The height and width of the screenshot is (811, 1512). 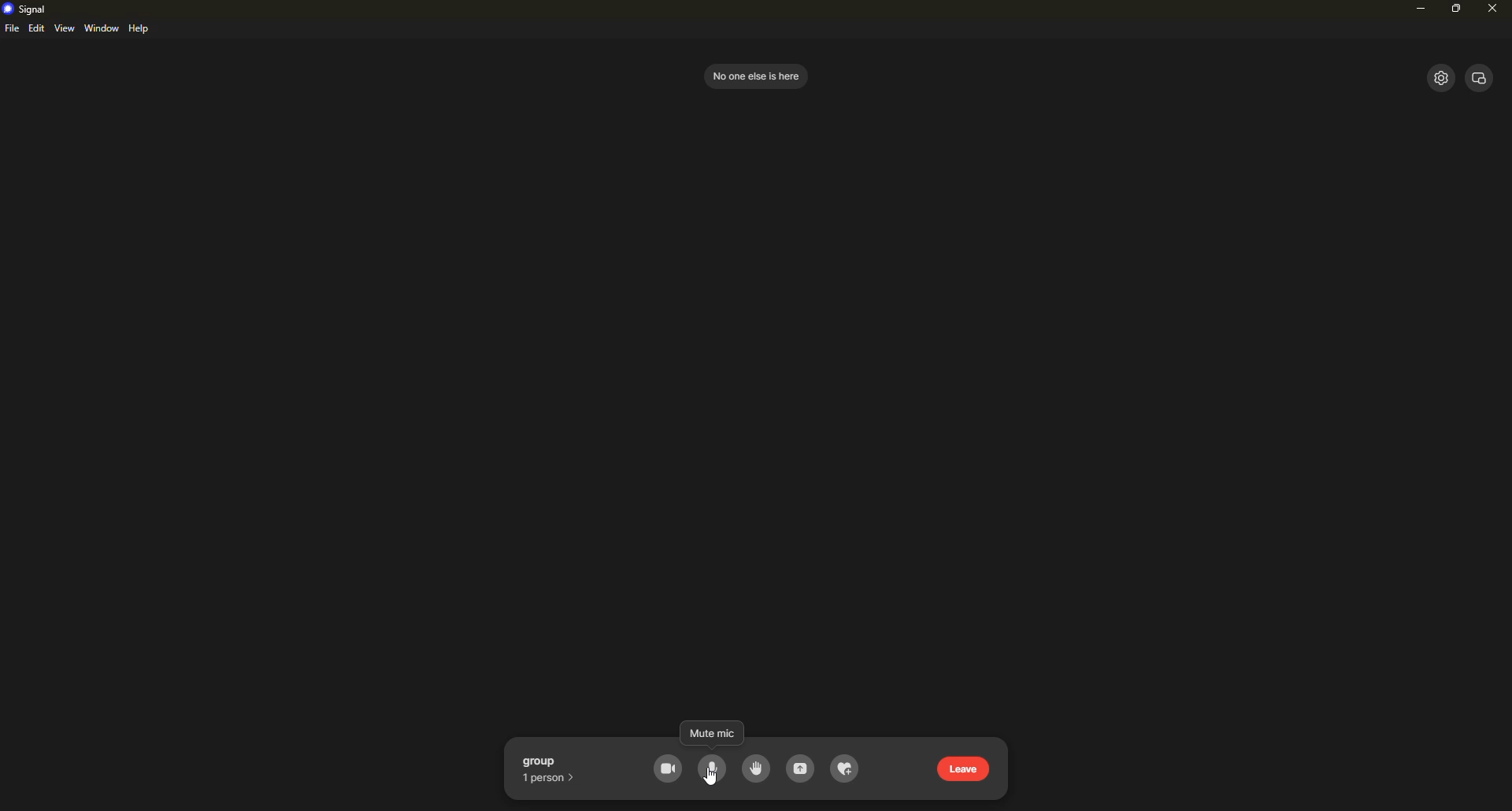 I want to click on edit, so click(x=36, y=29).